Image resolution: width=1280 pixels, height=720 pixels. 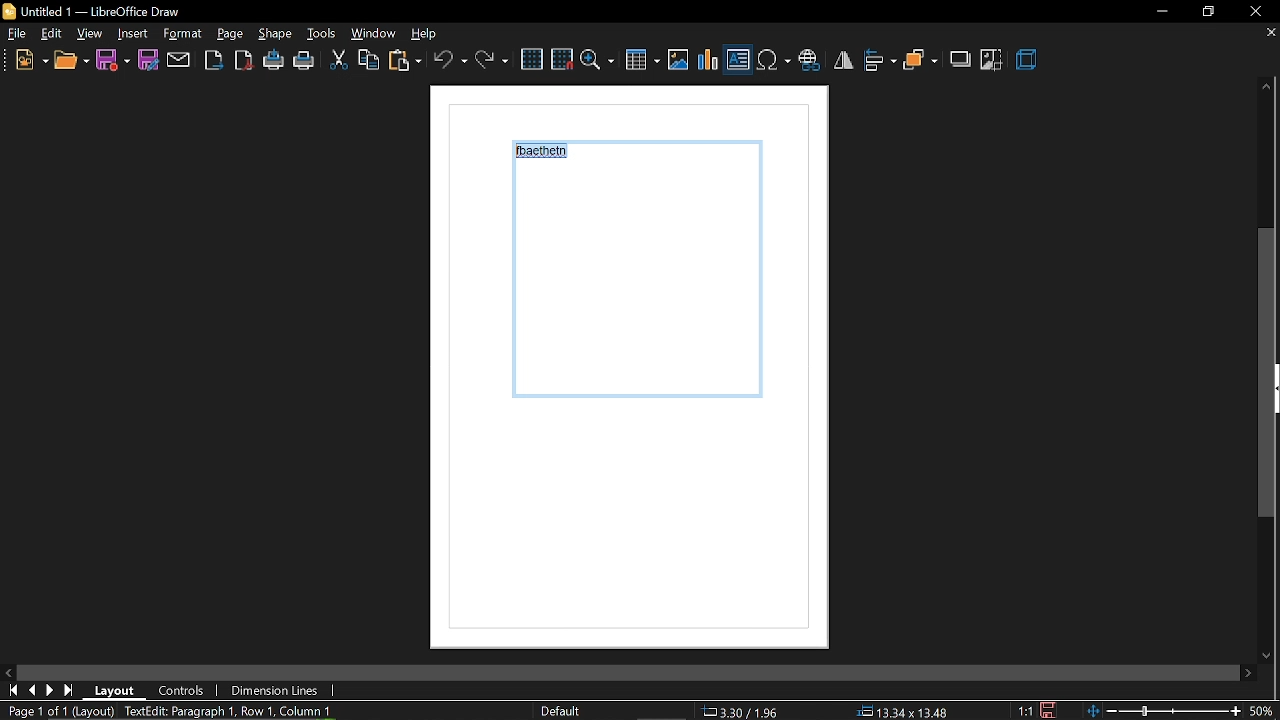 I want to click on flip, so click(x=843, y=60).